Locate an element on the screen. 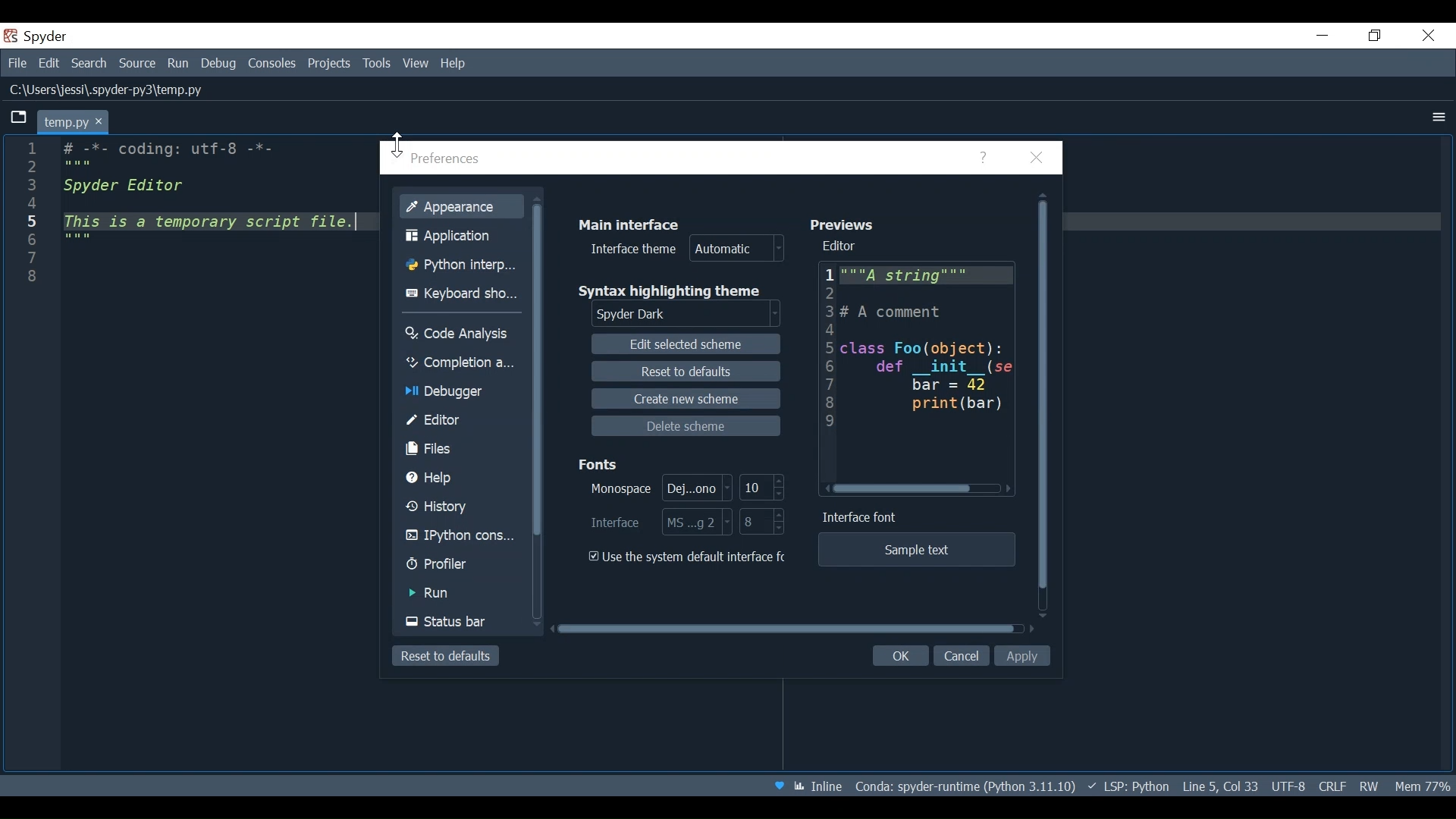 Image resolution: width=1456 pixels, height=819 pixels. Select Syntax highlighting theme is located at coordinates (686, 314).